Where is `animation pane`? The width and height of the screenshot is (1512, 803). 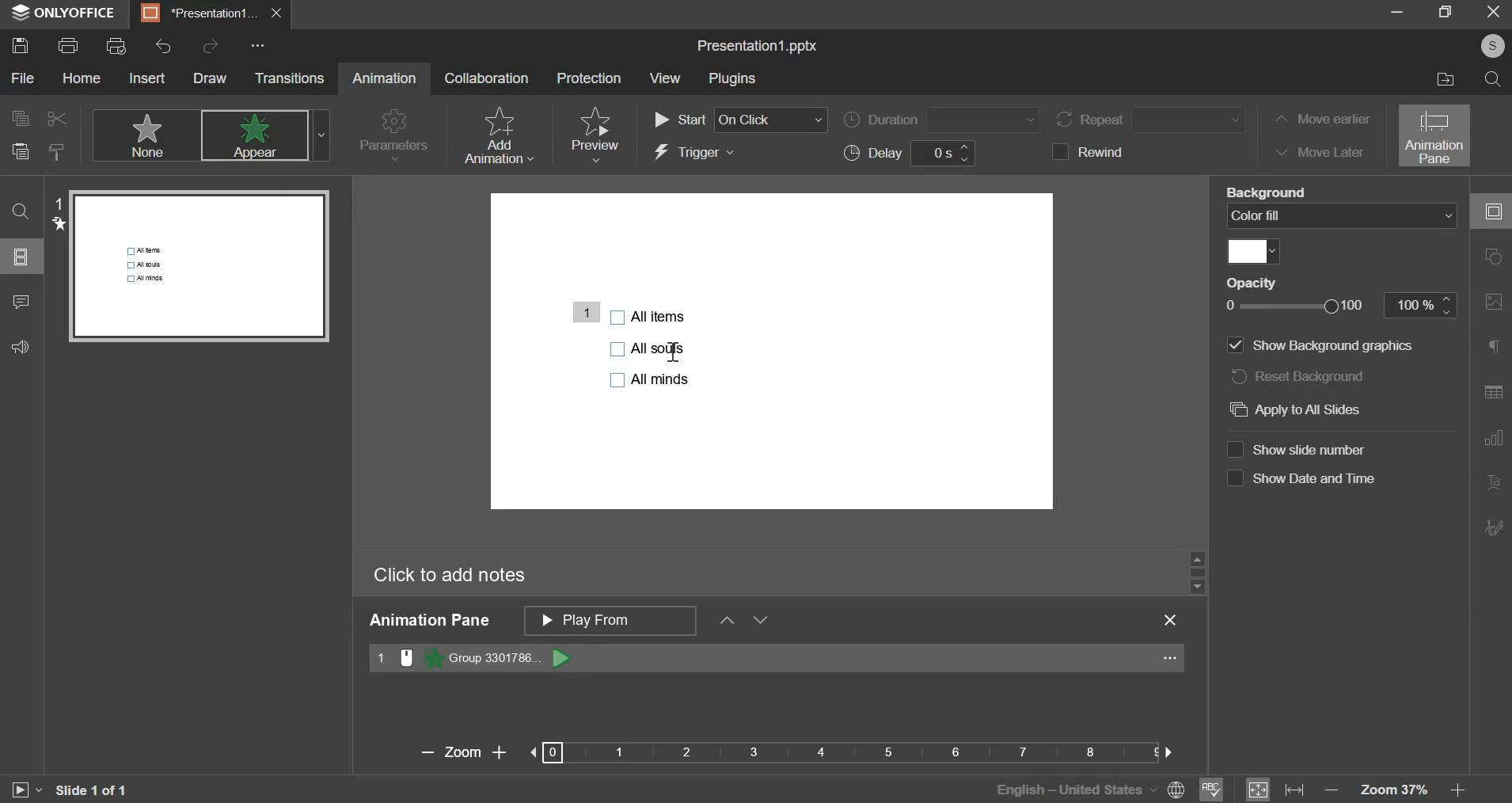
animation pane is located at coordinates (428, 621).